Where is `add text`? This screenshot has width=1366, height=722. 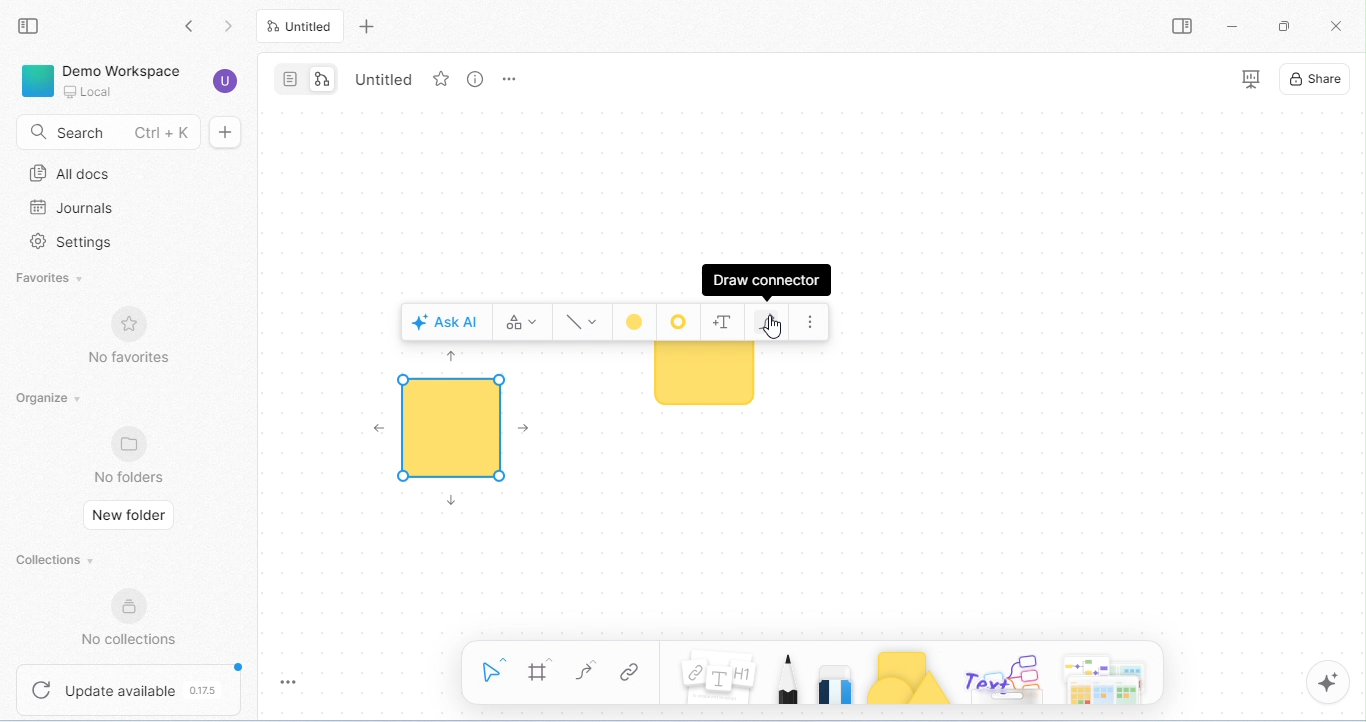
add text is located at coordinates (725, 323).